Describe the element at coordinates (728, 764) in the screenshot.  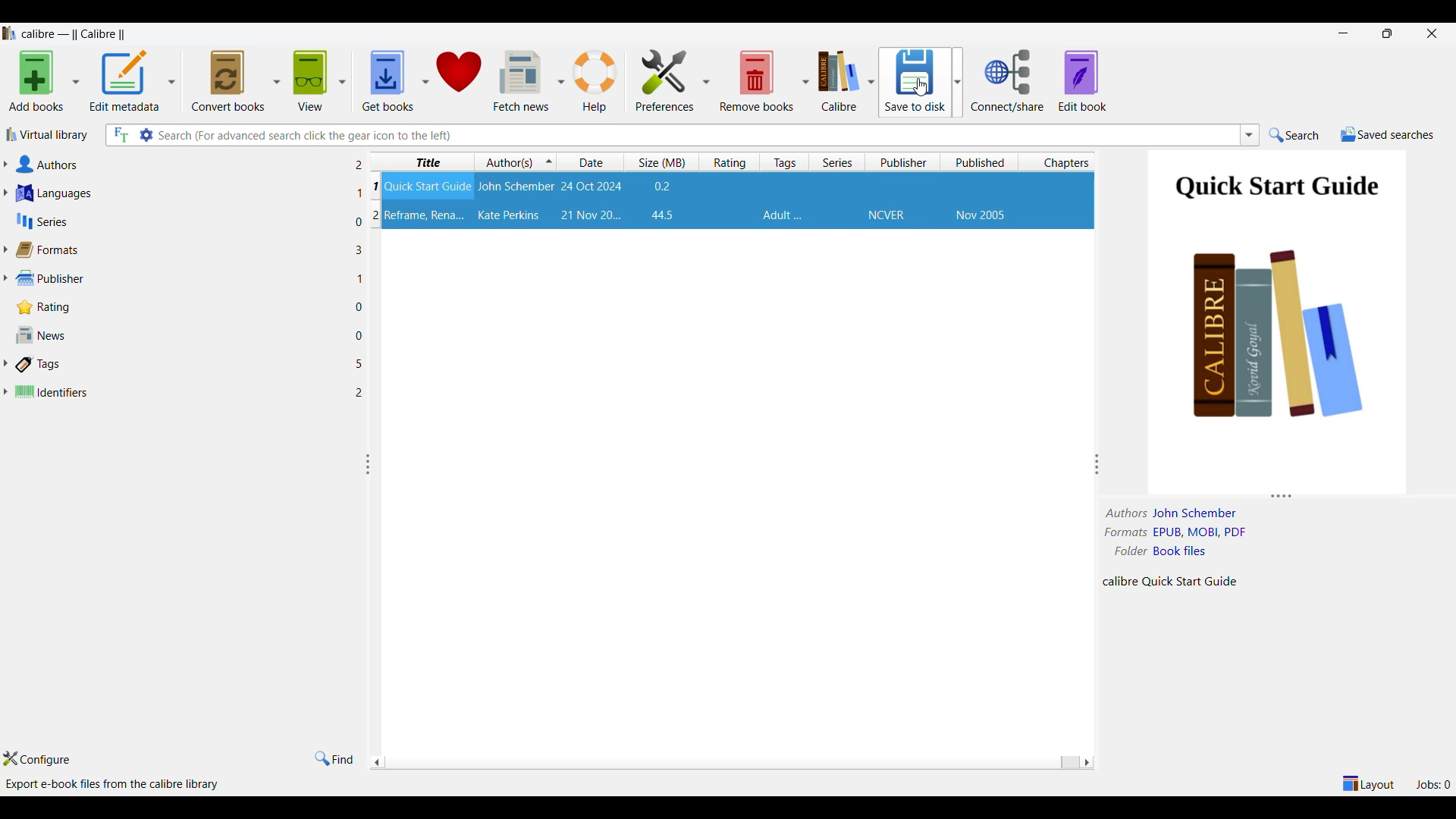
I see `Horizontal slide bar` at that location.